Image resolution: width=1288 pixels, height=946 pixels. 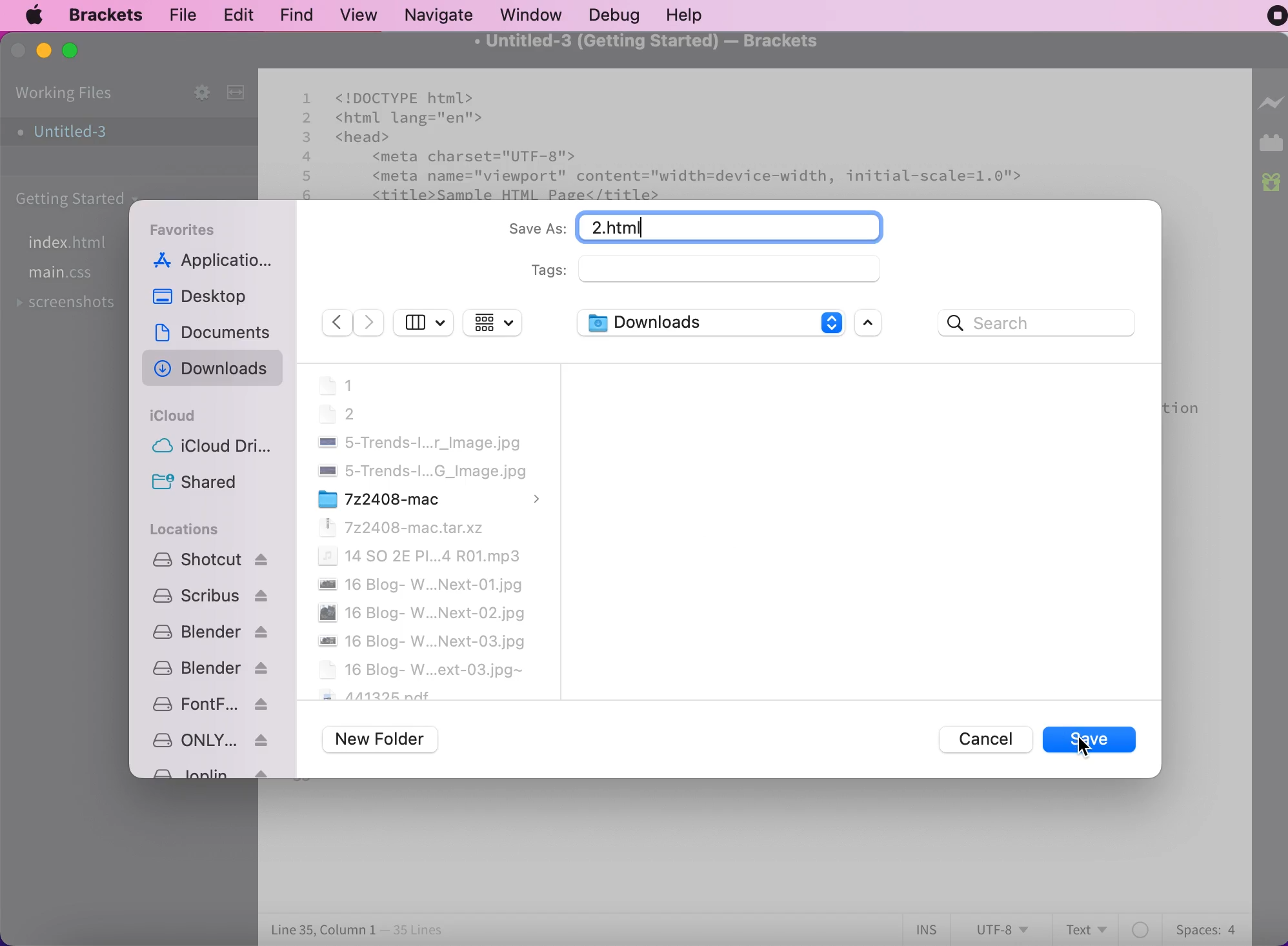 I want to click on untitled-3 (getting started) - brackets, so click(x=666, y=47).